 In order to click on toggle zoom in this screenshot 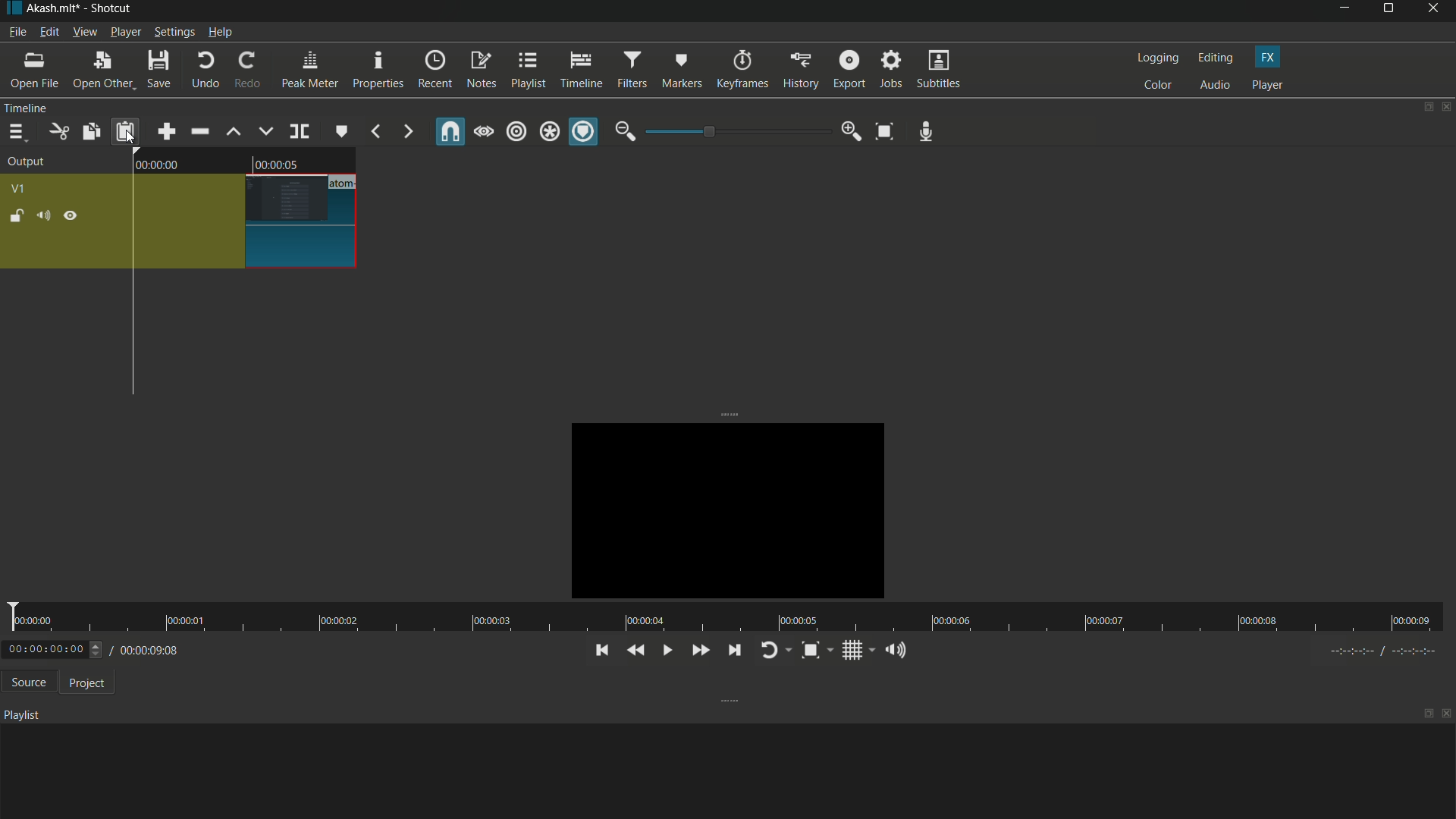, I will do `click(816, 650)`.